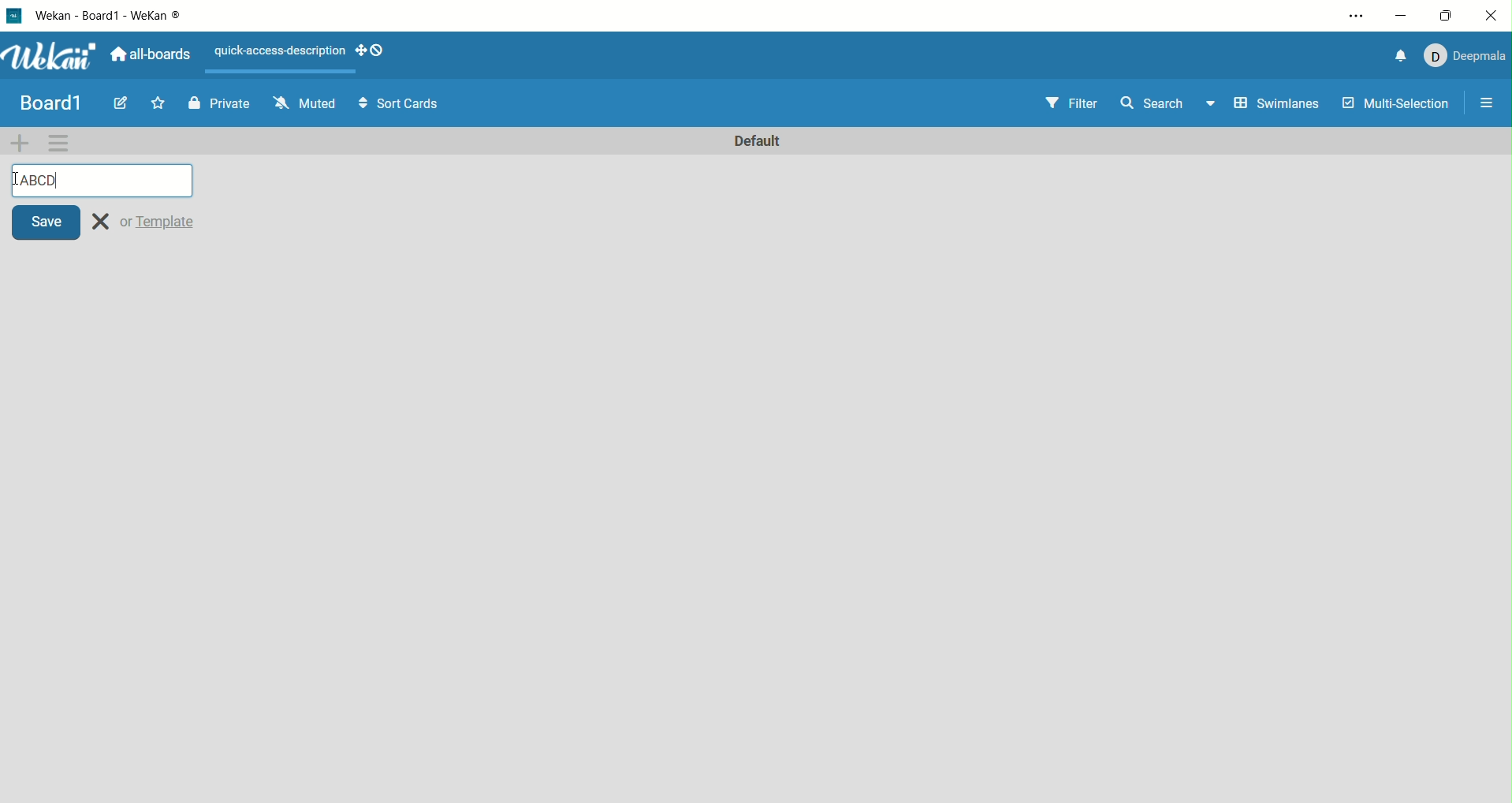 The width and height of the screenshot is (1512, 803). Describe the element at coordinates (1071, 103) in the screenshot. I see `filter` at that location.